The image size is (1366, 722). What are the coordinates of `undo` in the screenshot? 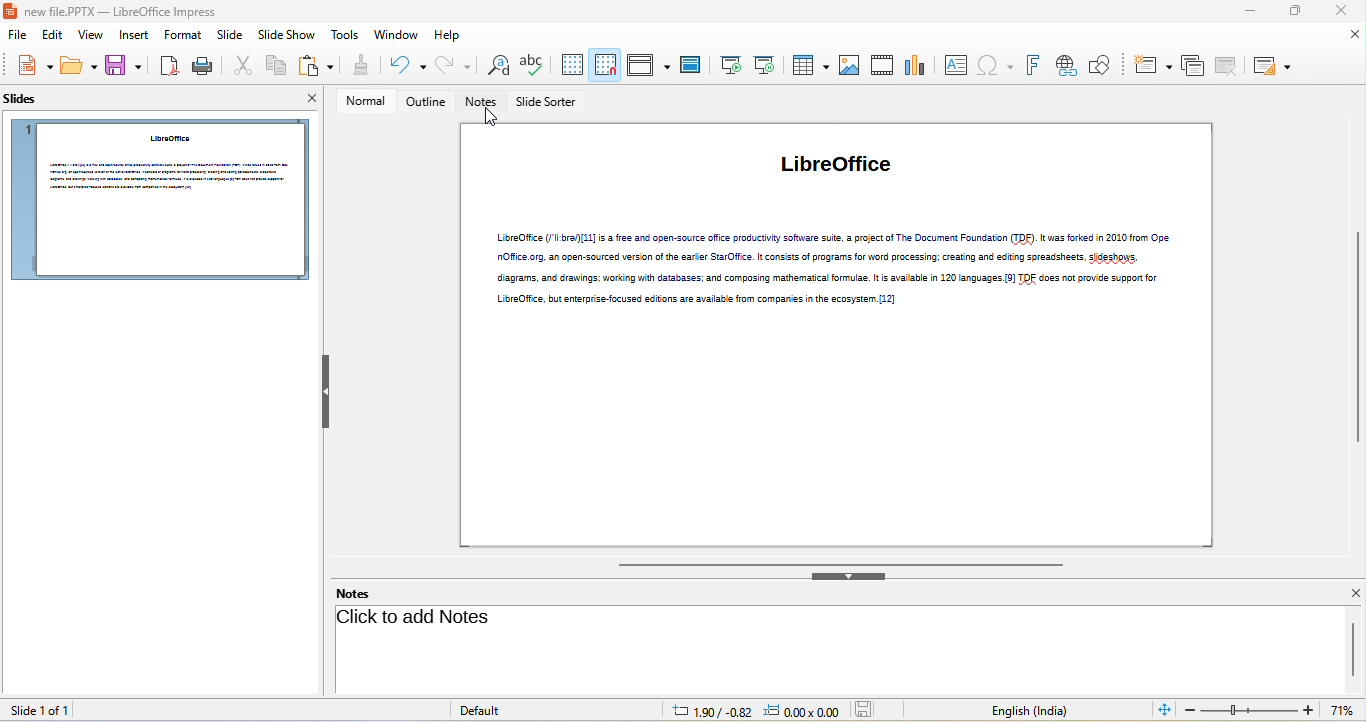 It's located at (403, 66).